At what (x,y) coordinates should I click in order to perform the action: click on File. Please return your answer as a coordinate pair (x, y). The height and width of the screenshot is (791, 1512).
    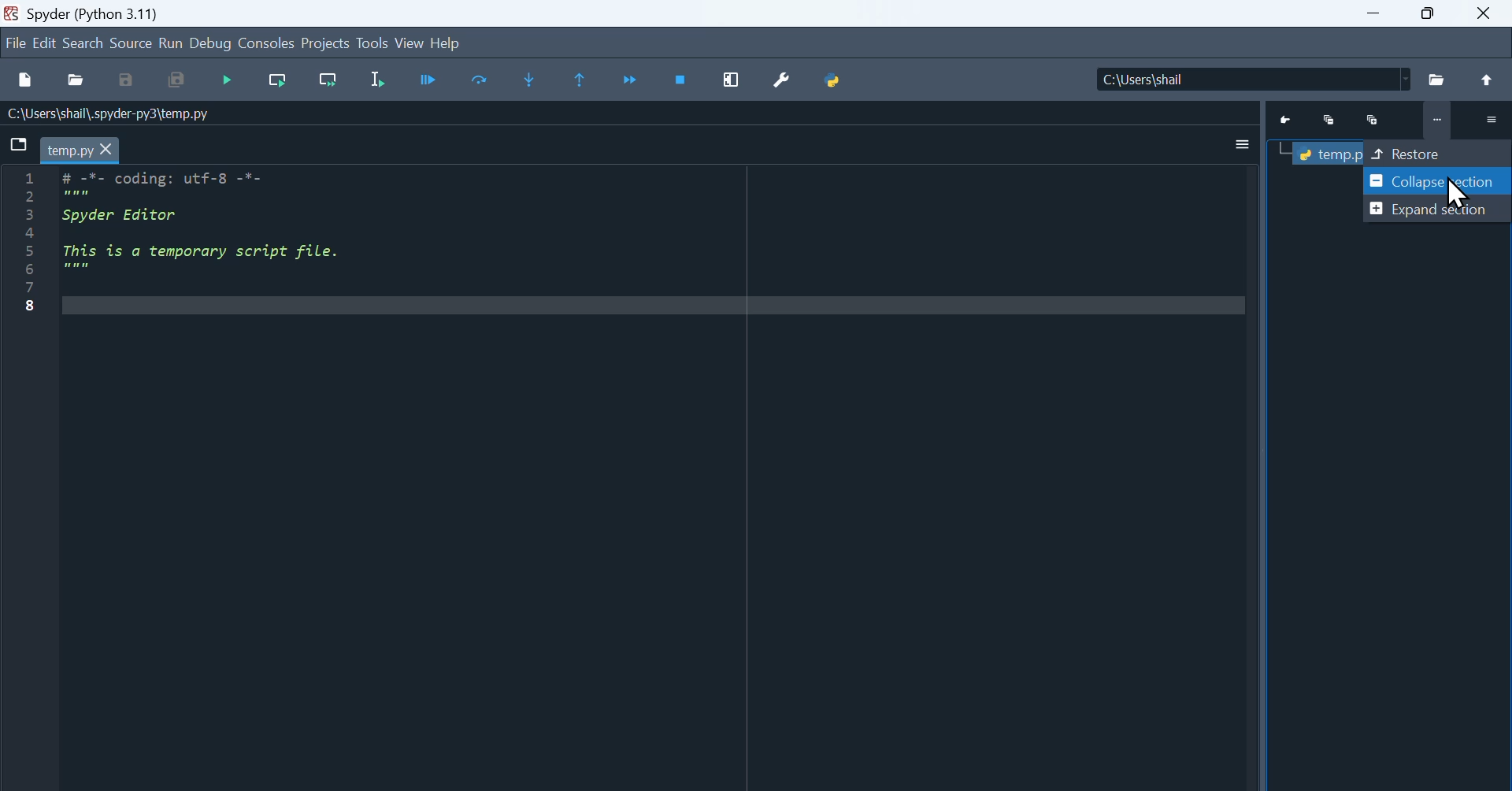
    Looking at the image, I should click on (1438, 80).